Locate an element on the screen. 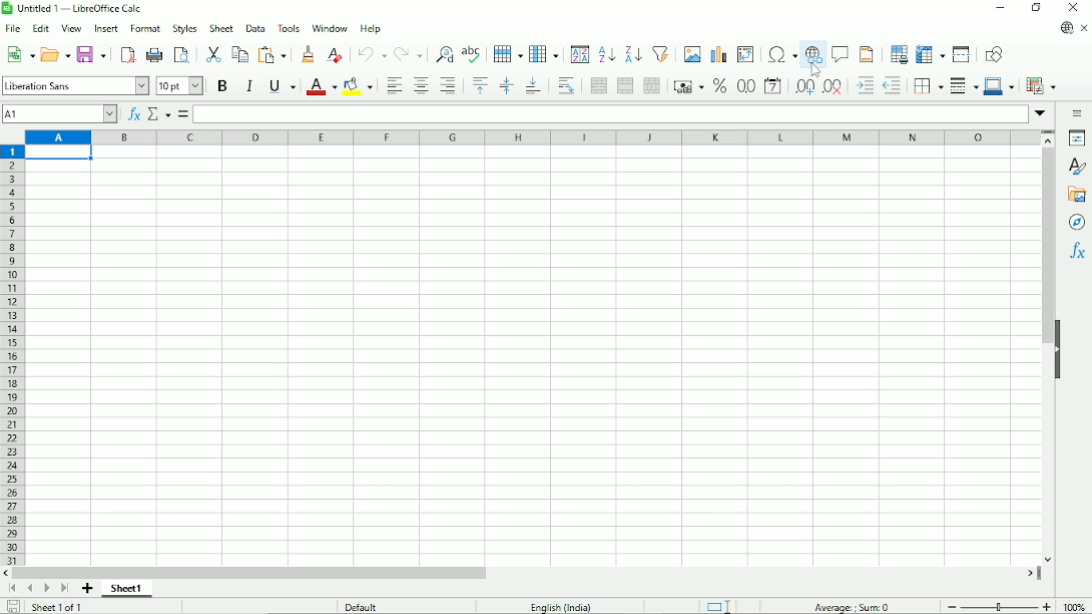 The width and height of the screenshot is (1092, 614). Insert chart is located at coordinates (717, 54).